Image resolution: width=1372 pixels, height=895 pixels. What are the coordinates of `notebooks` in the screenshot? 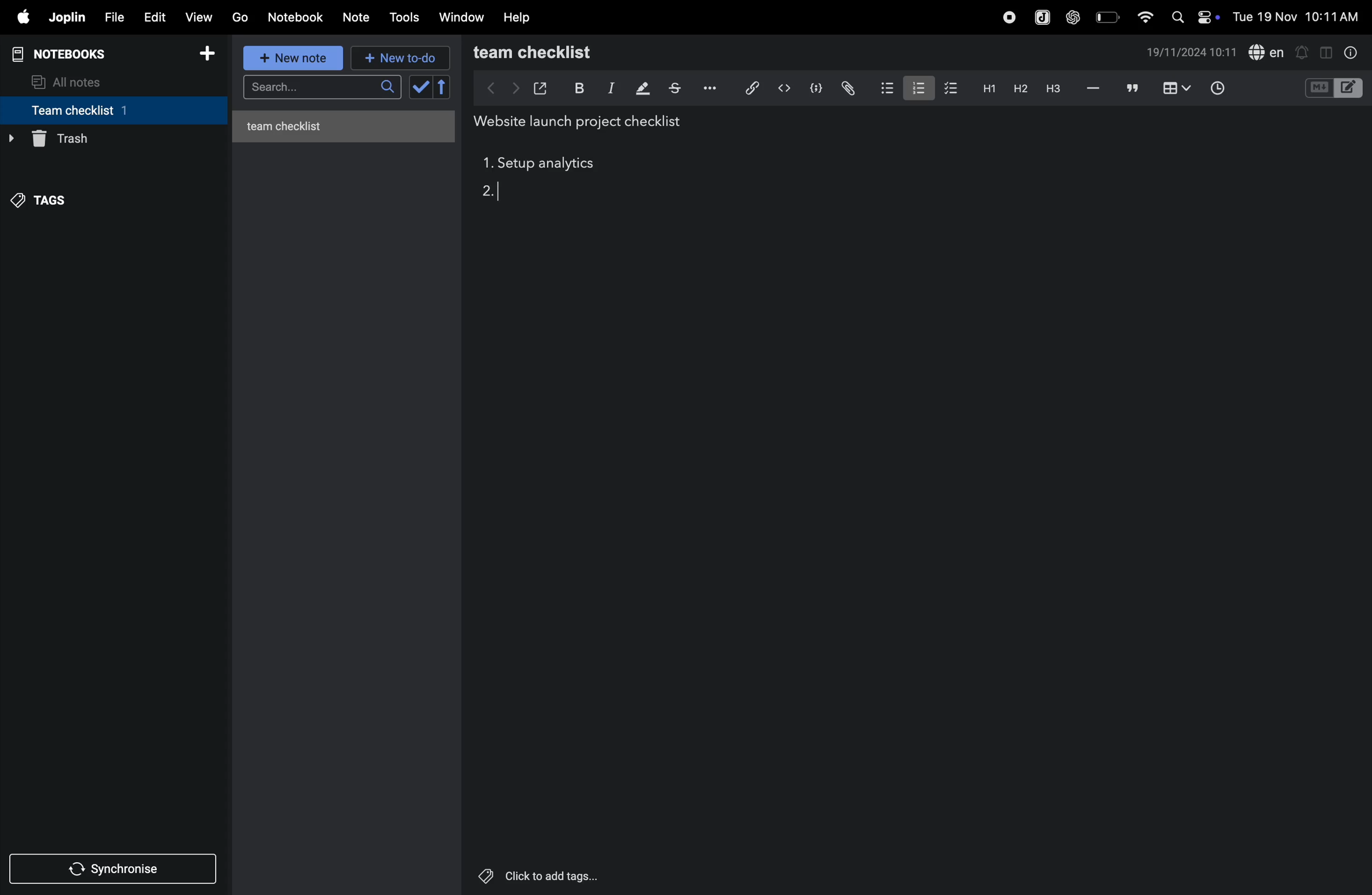 It's located at (66, 52).